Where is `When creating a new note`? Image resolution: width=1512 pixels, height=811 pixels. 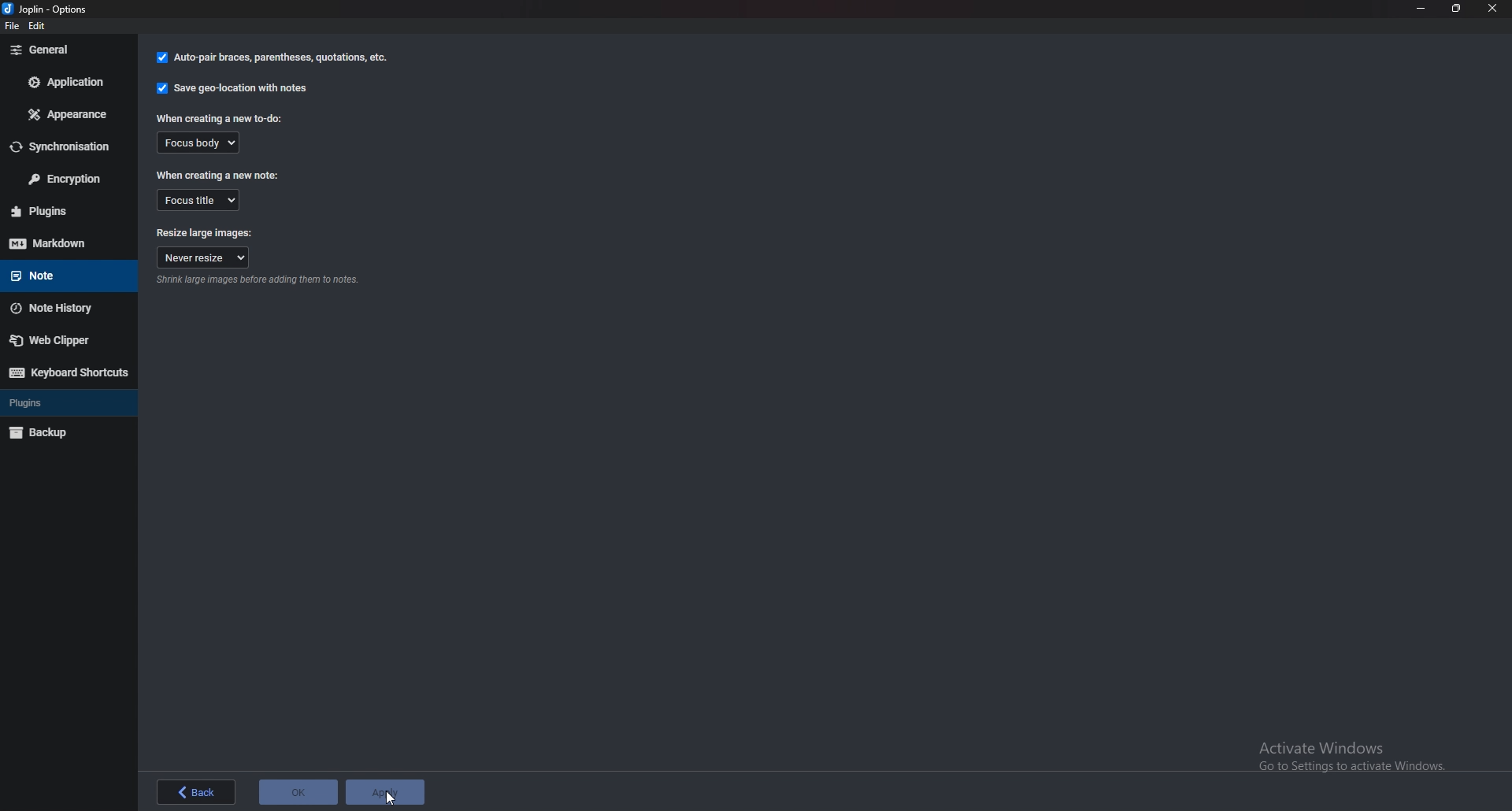
When creating a new note is located at coordinates (219, 175).